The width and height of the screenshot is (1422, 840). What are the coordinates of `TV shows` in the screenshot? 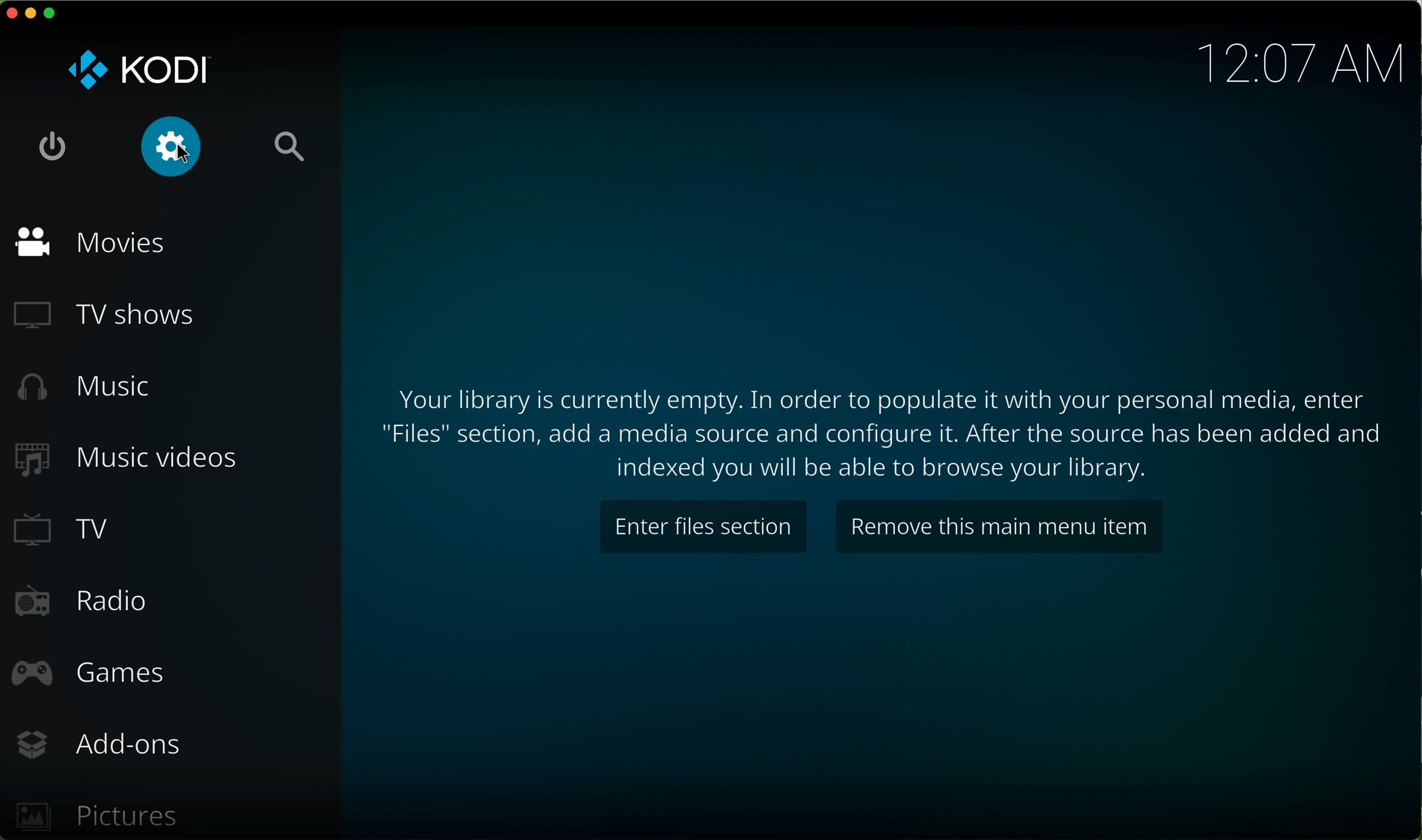 It's located at (111, 316).